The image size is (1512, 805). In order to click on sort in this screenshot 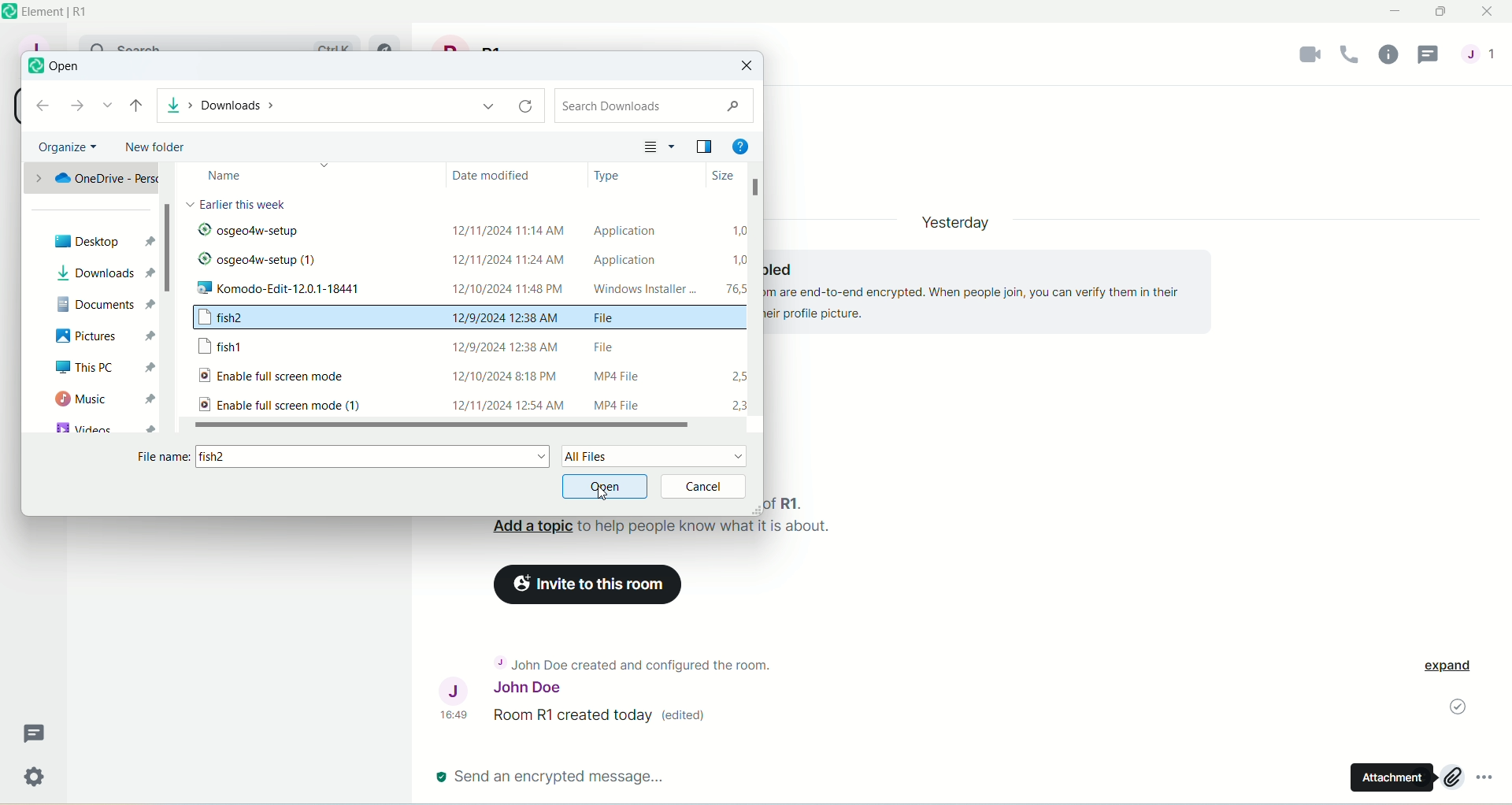, I will do `click(660, 148)`.